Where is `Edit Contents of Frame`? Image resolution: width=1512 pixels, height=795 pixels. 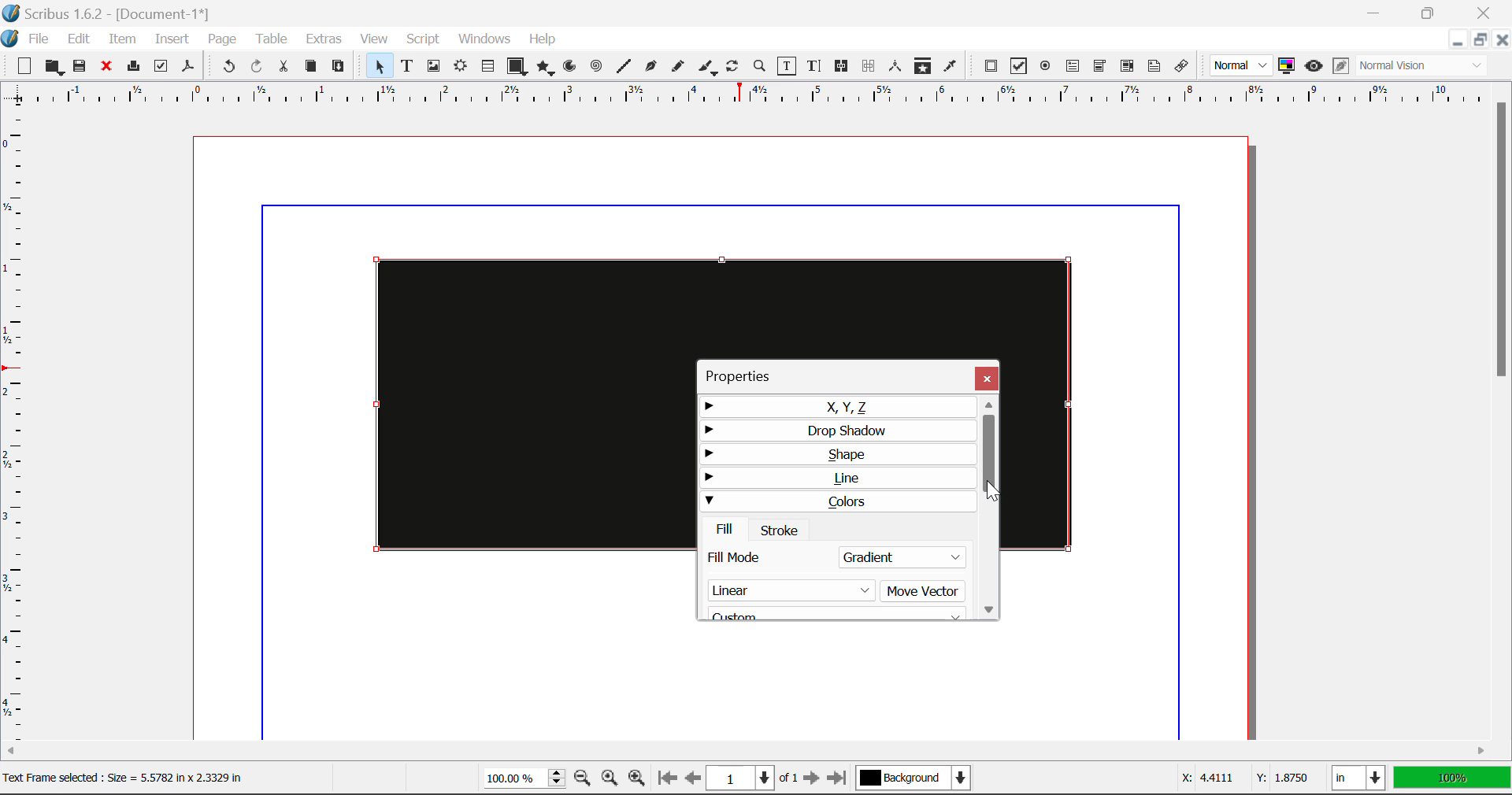
Edit Contents of Frame is located at coordinates (787, 68).